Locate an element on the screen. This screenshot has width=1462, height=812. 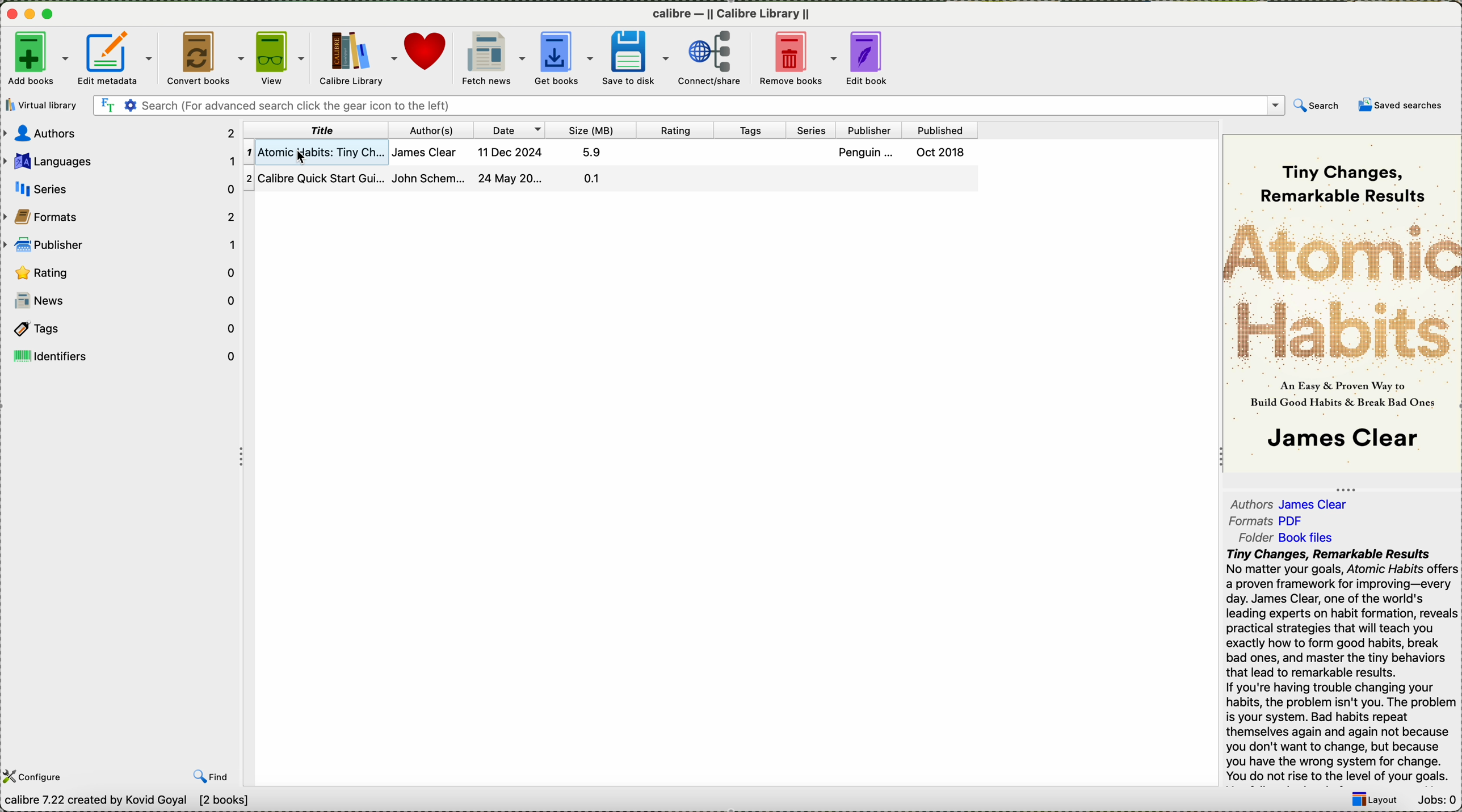
close program is located at coordinates (9, 13).